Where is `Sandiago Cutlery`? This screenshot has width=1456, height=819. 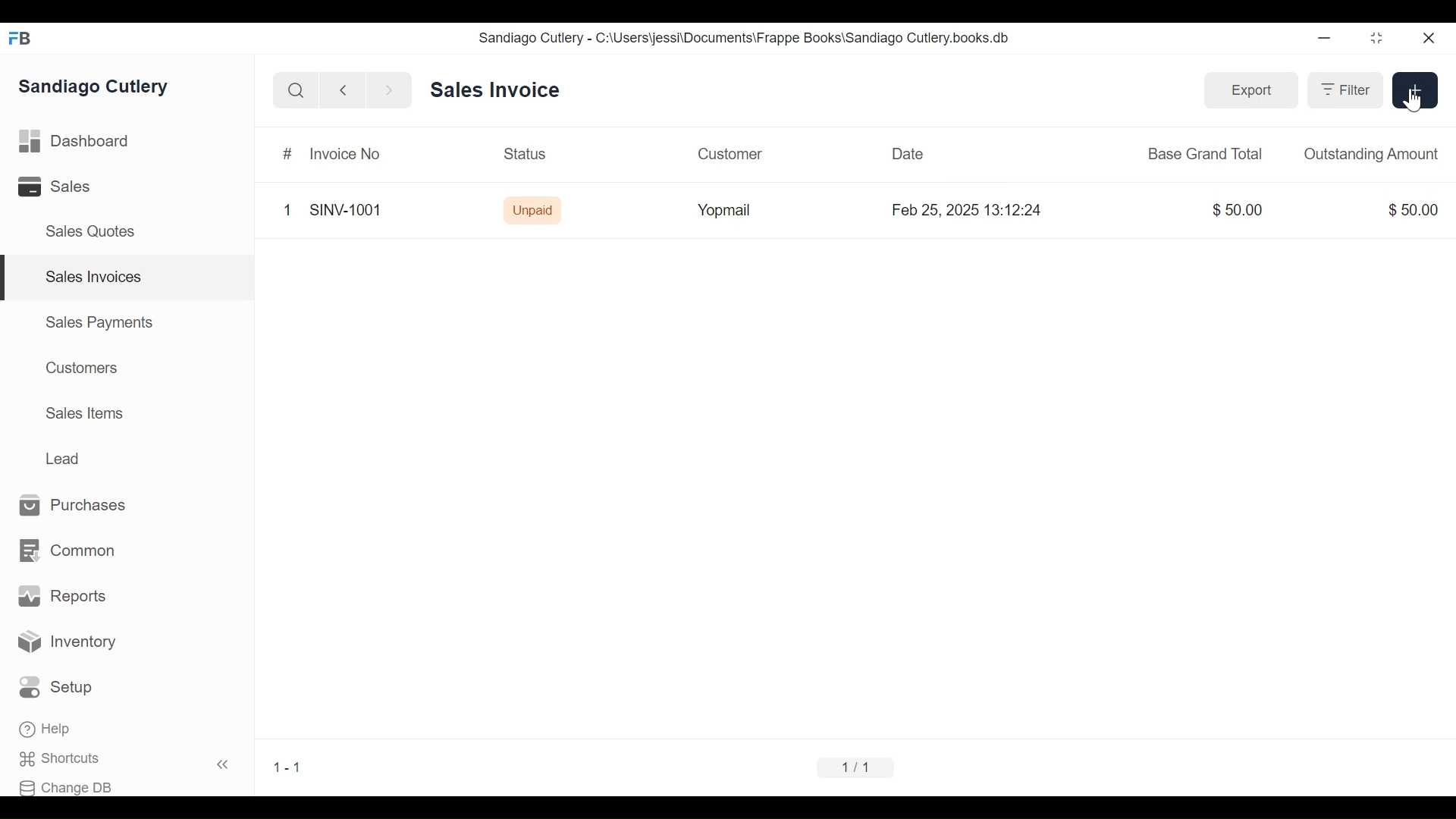
Sandiago Cutlery is located at coordinates (98, 86).